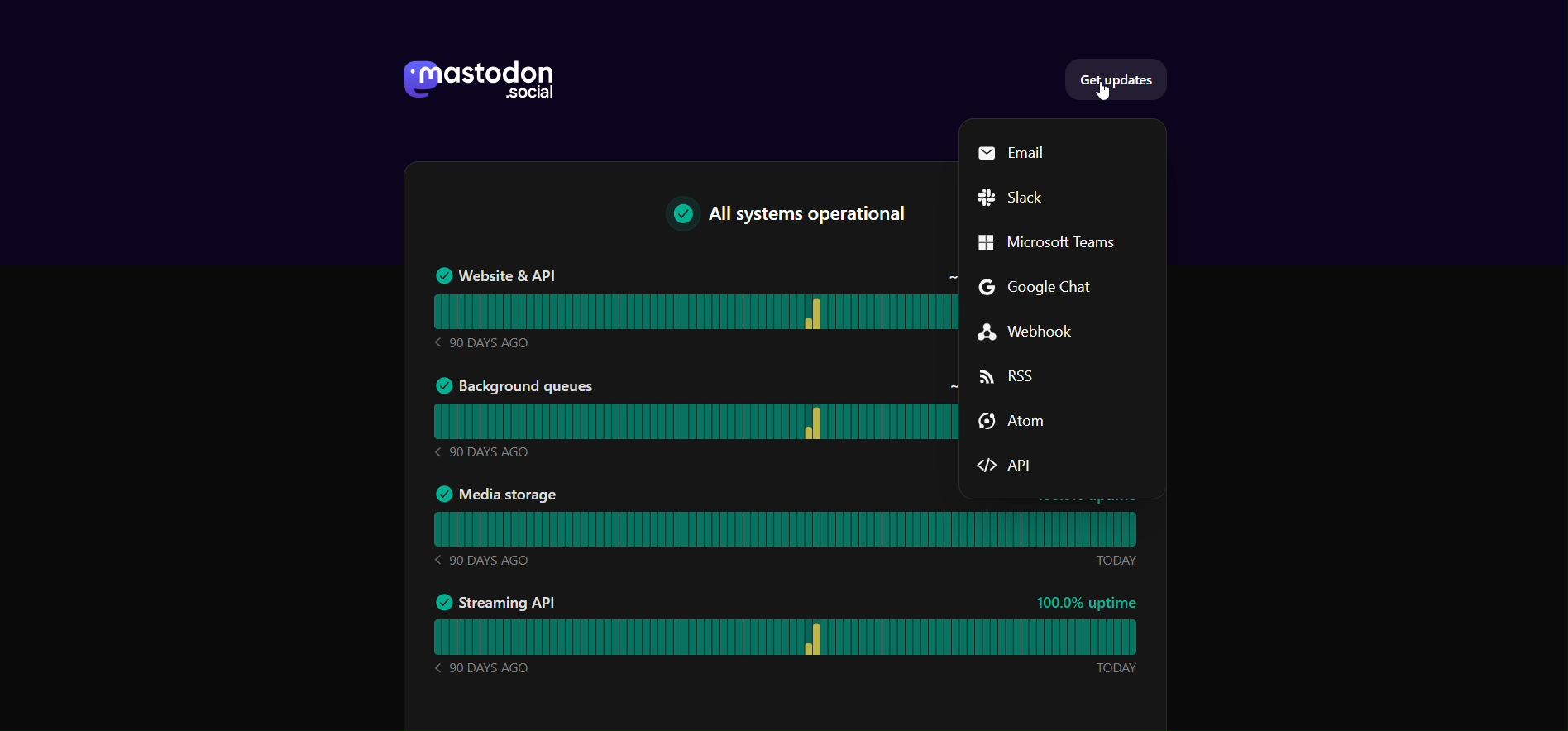  What do you see at coordinates (1016, 198) in the screenshot?
I see `Slack` at bounding box center [1016, 198].